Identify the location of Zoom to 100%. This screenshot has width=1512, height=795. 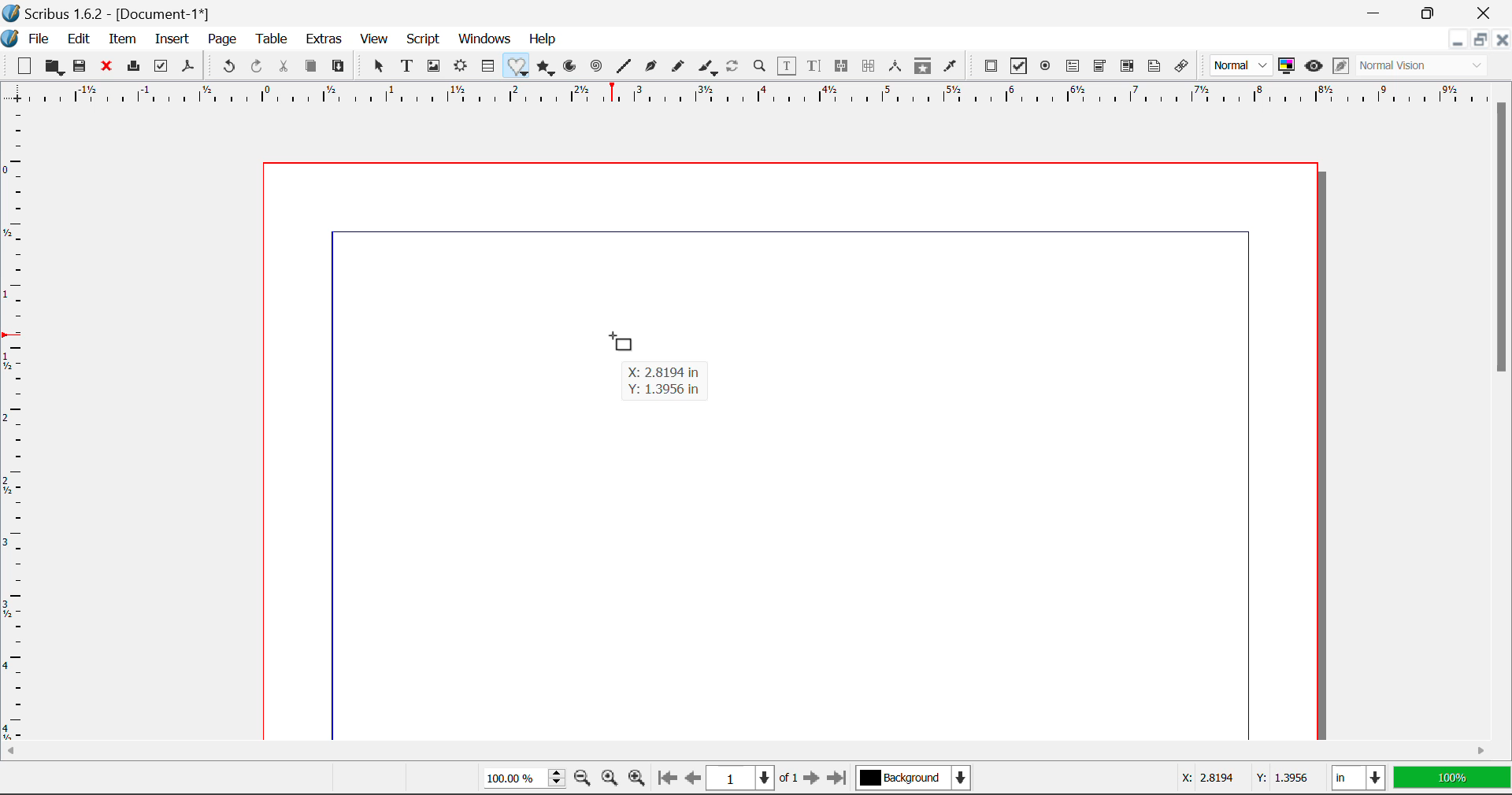
(608, 780).